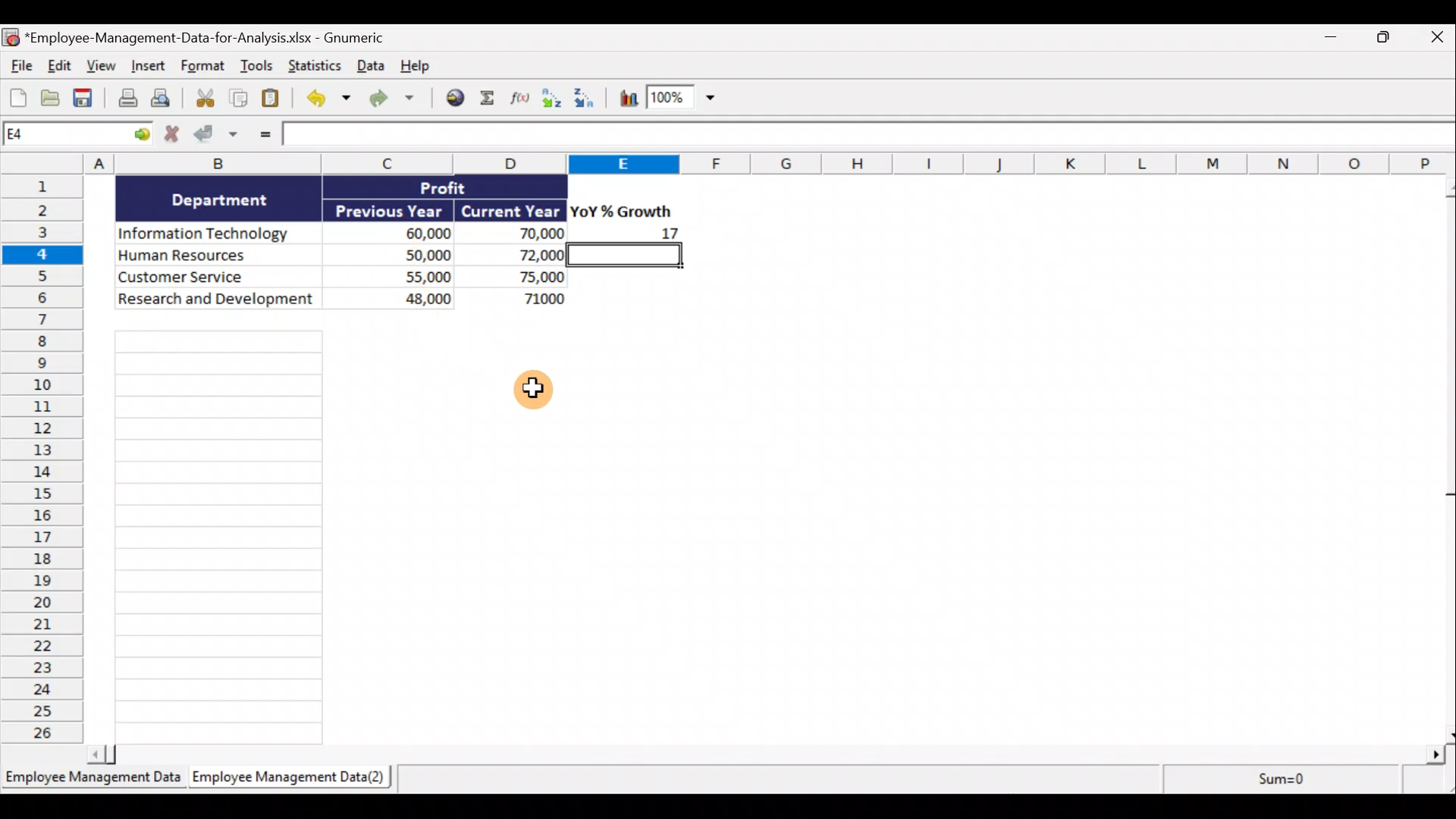  What do you see at coordinates (340, 241) in the screenshot?
I see `Data` at bounding box center [340, 241].